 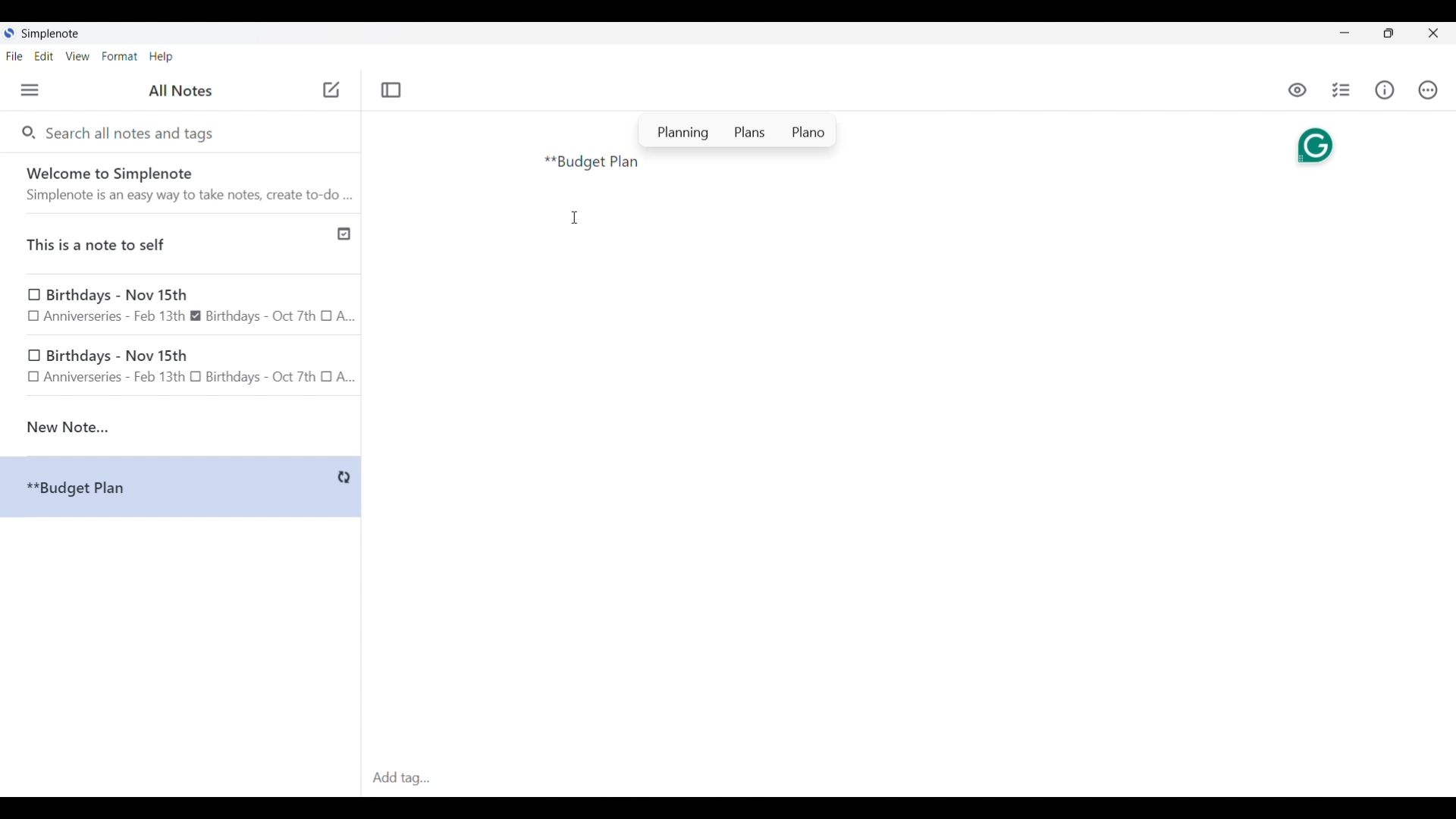 I want to click on Toggle focus mode, so click(x=391, y=90).